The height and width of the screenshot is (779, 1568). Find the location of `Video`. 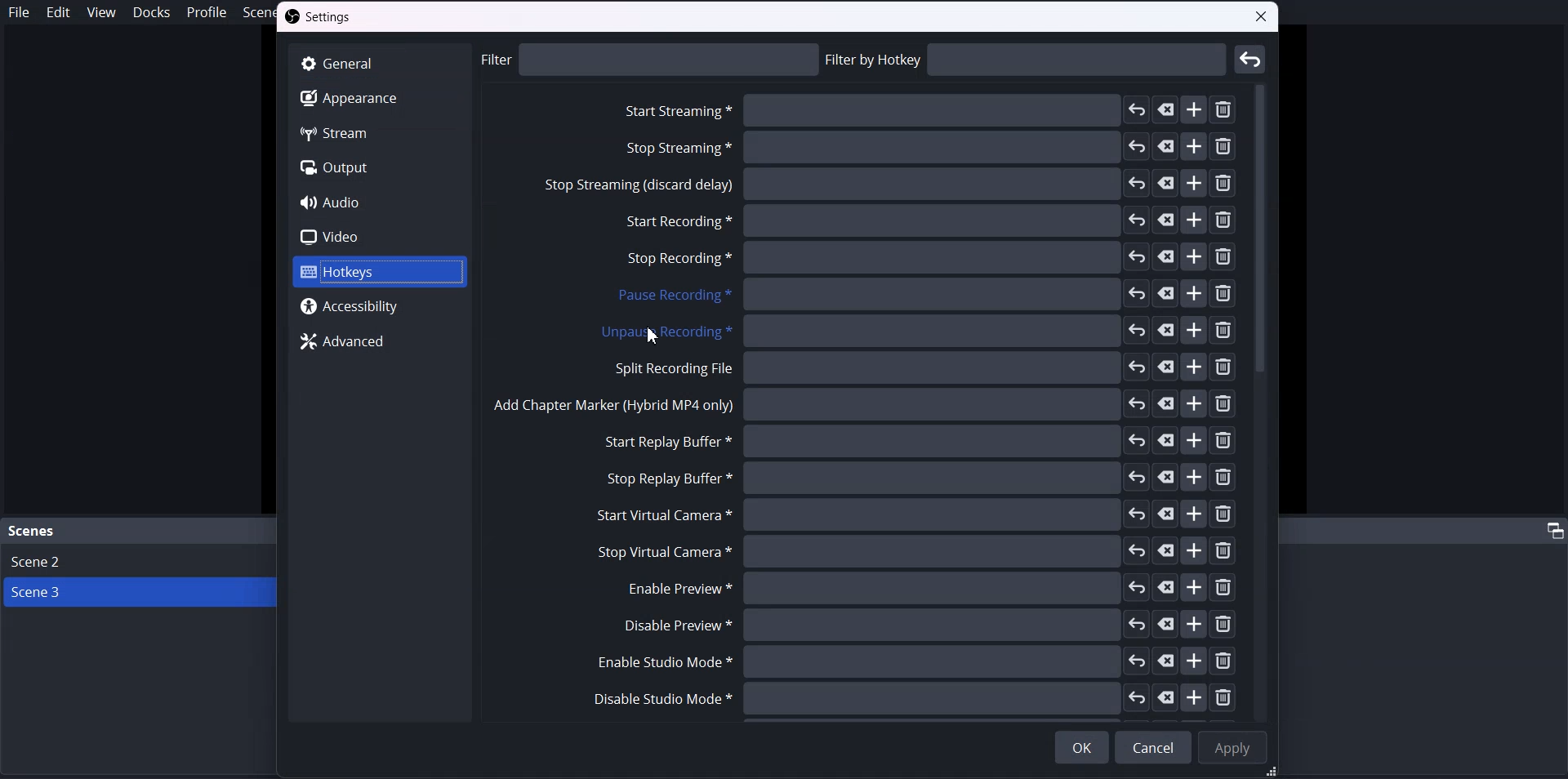

Video is located at coordinates (379, 236).